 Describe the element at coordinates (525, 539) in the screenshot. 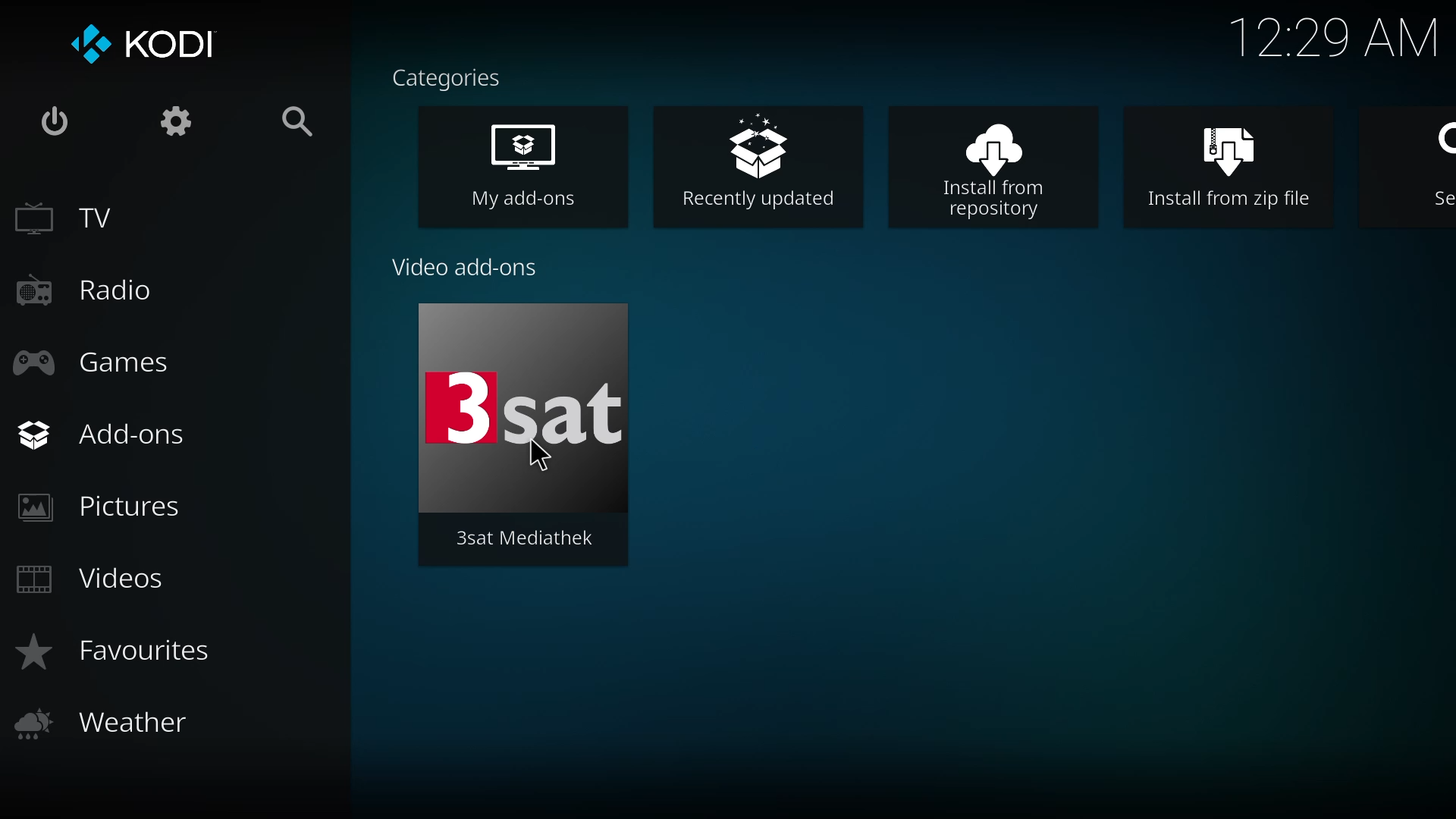

I see `3sat Mediathek` at that location.